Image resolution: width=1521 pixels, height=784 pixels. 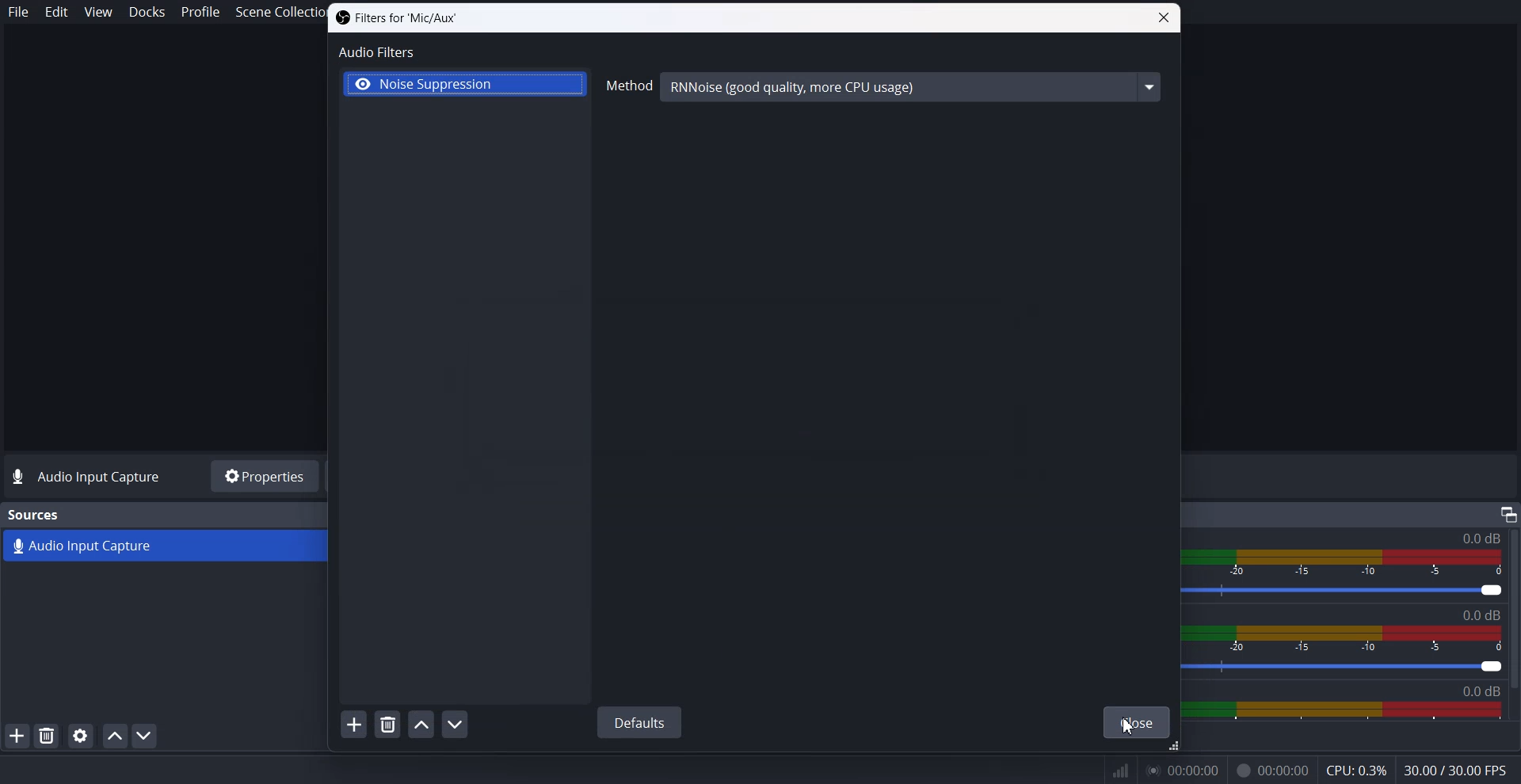 What do you see at coordinates (455, 724) in the screenshot?
I see `Move filter down` at bounding box center [455, 724].